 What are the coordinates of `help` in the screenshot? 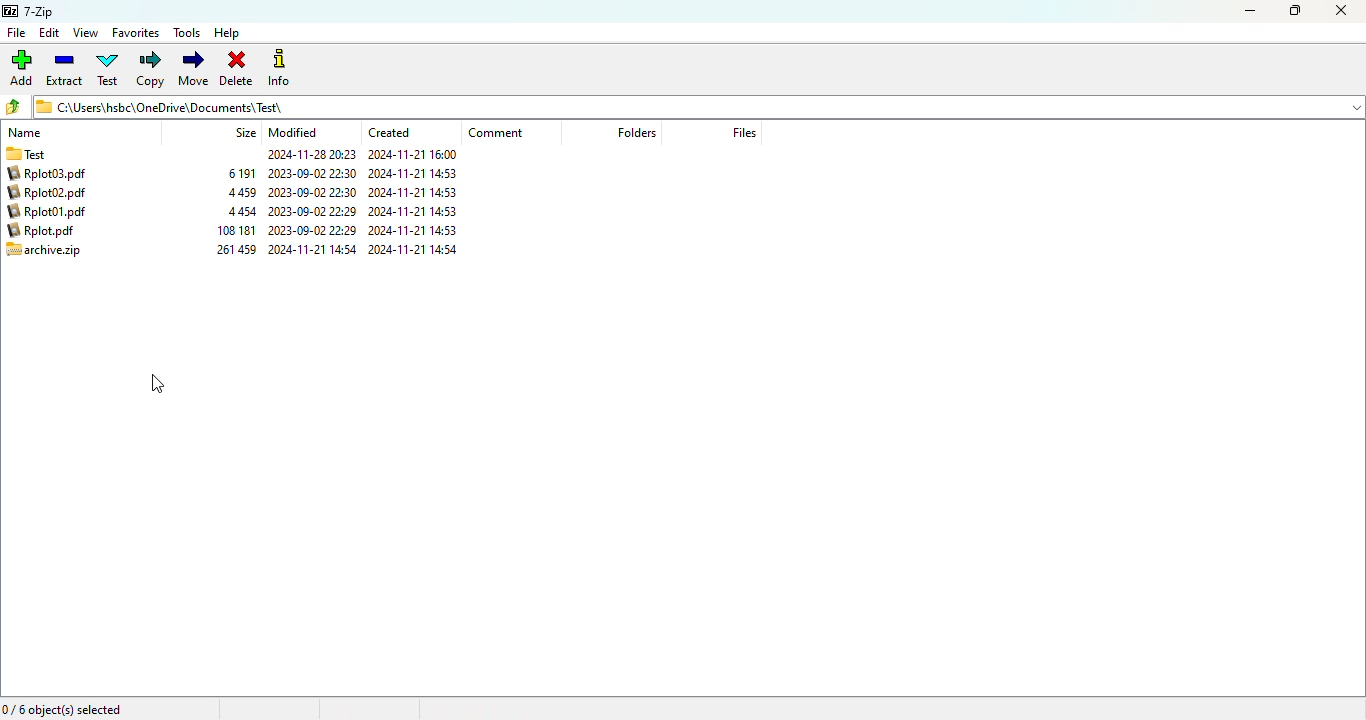 It's located at (228, 33).